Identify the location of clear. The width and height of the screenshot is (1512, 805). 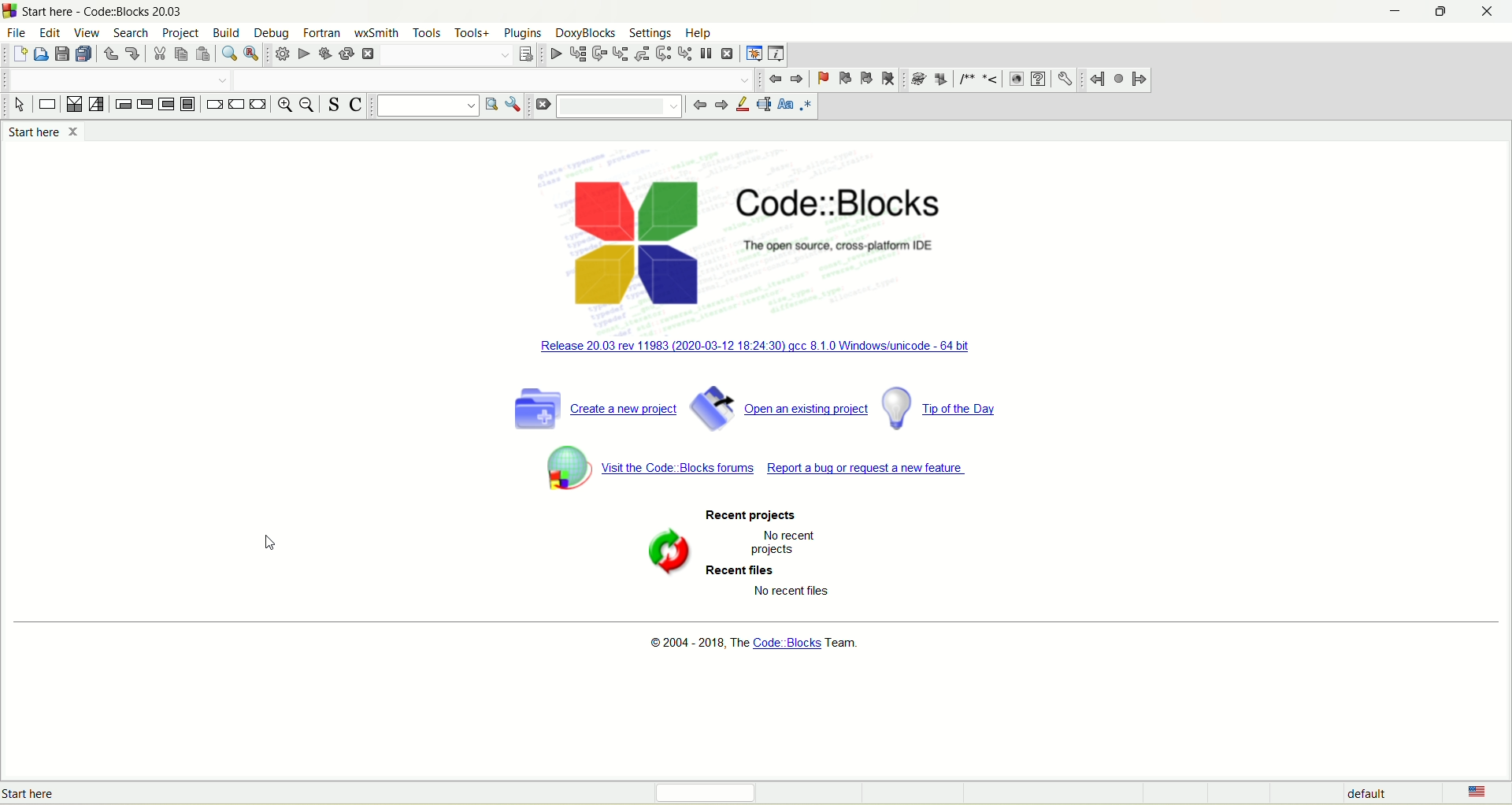
(541, 106).